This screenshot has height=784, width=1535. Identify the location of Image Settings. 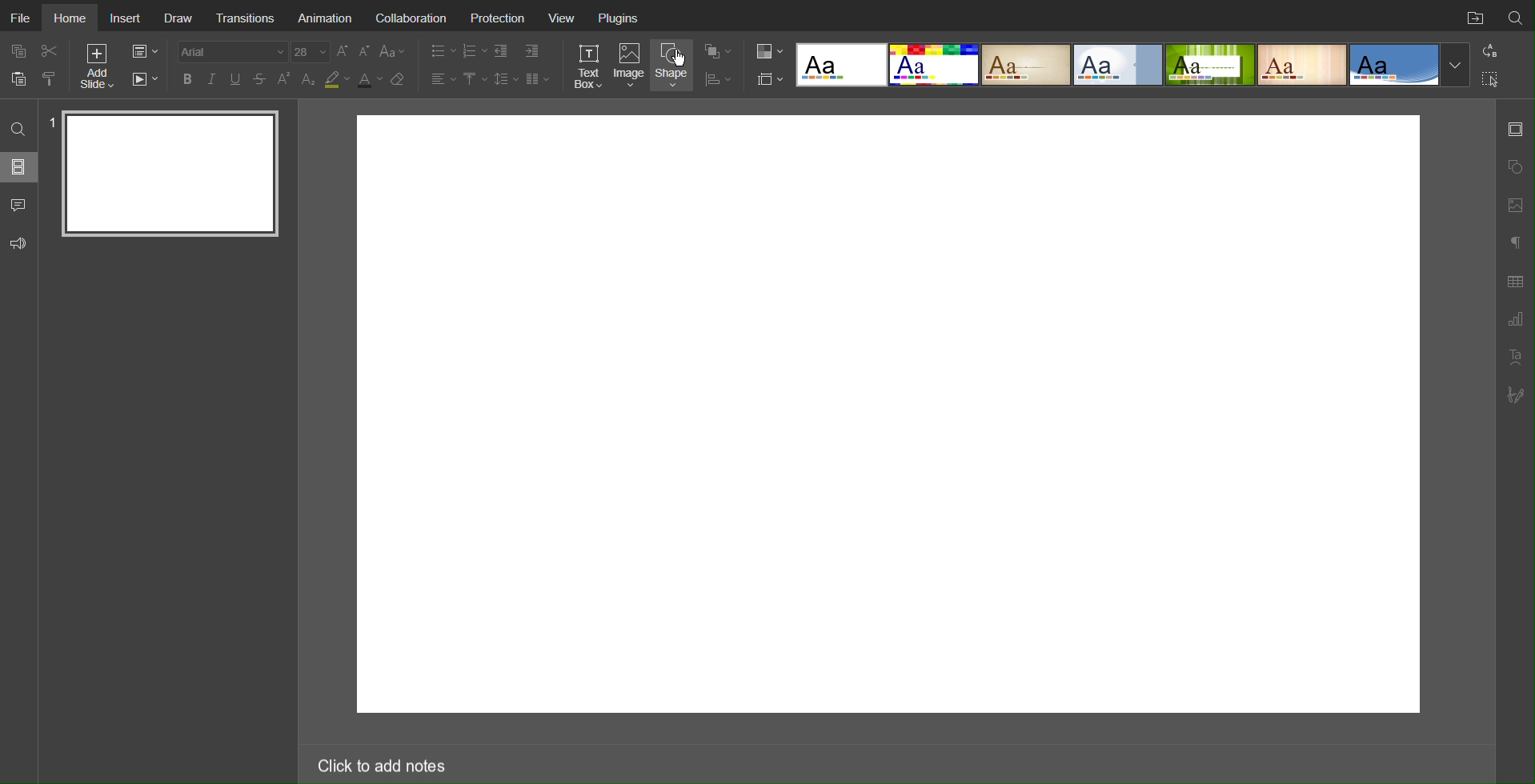
(1514, 203).